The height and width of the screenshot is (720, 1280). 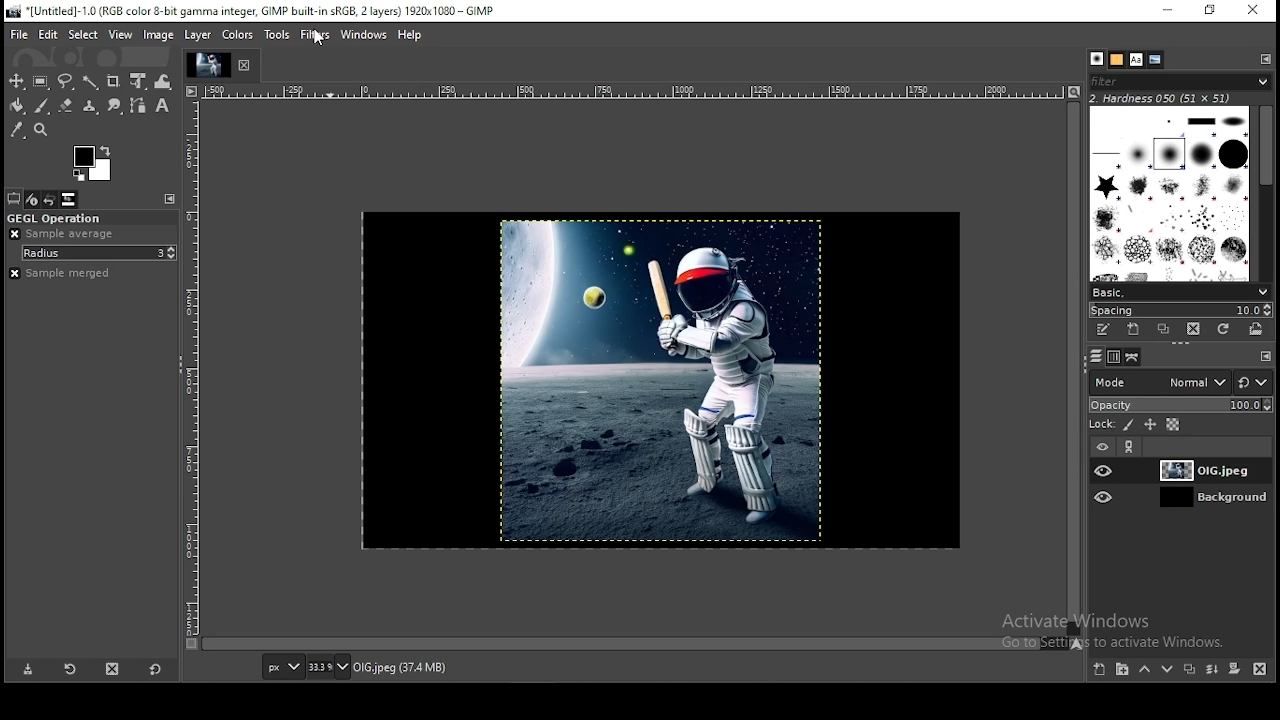 I want to click on smudge tool, so click(x=116, y=107).